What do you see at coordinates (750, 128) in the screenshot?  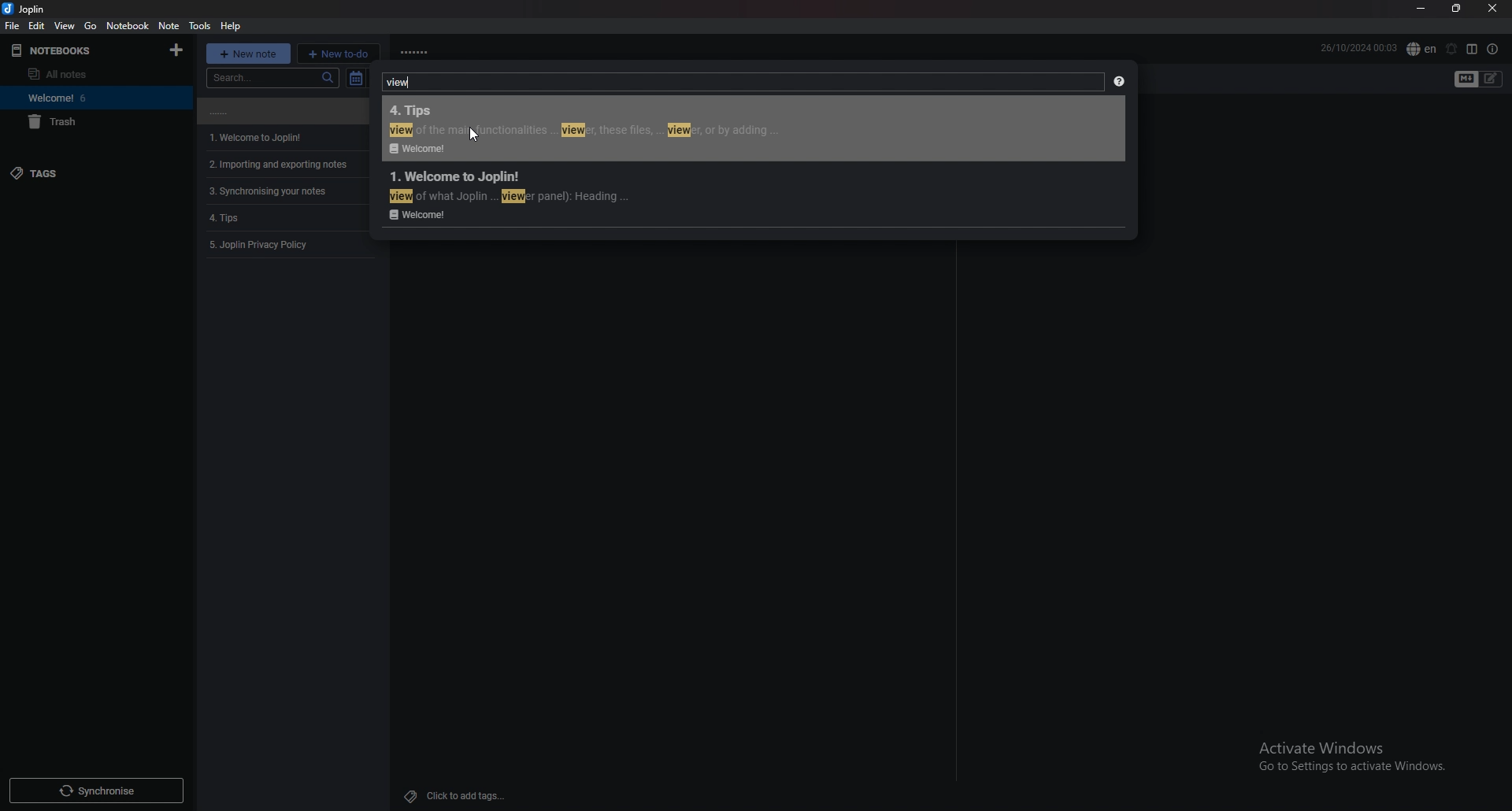 I see `search result` at bounding box center [750, 128].